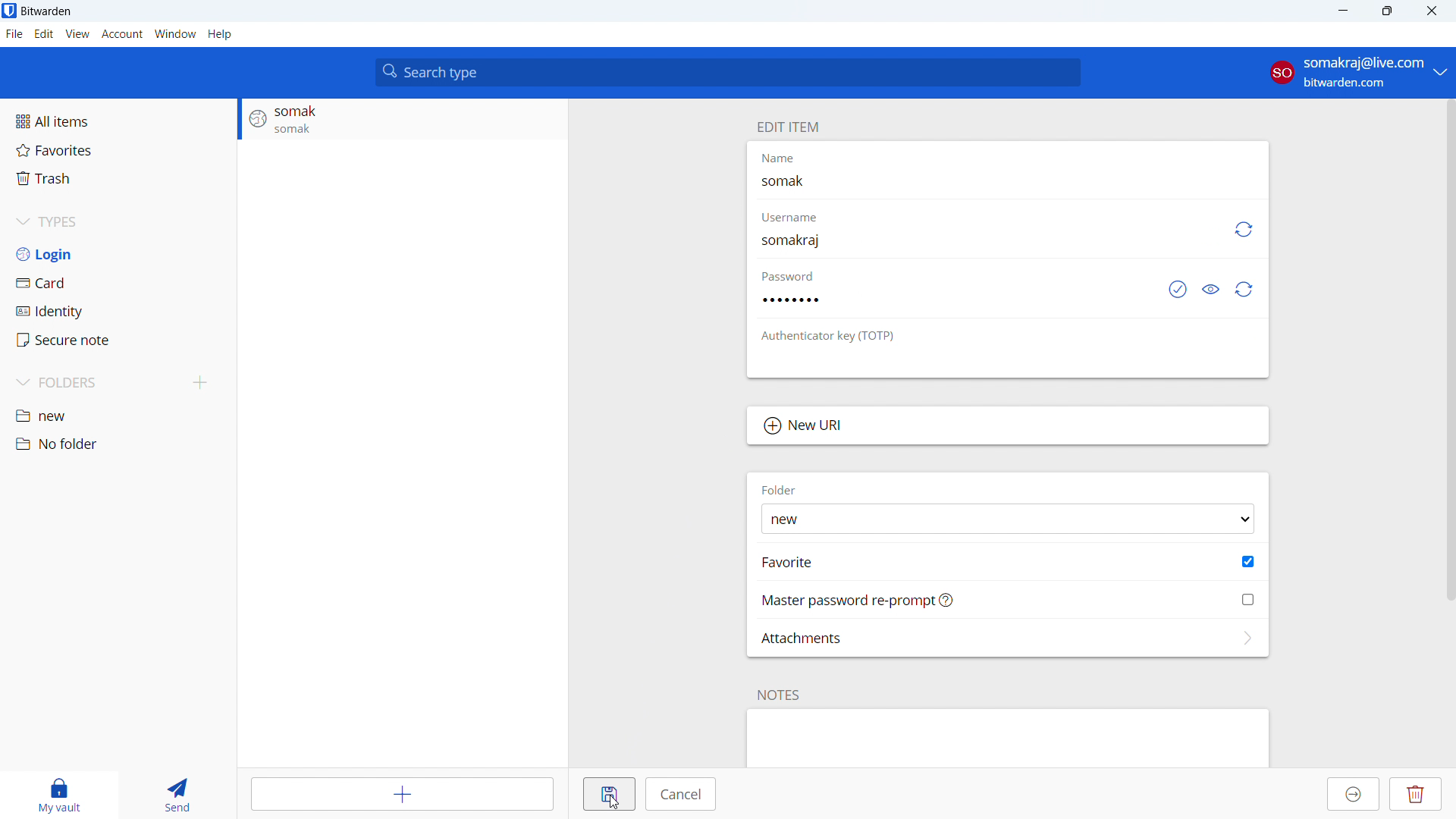  Describe the element at coordinates (610, 795) in the screenshot. I see `save` at that location.